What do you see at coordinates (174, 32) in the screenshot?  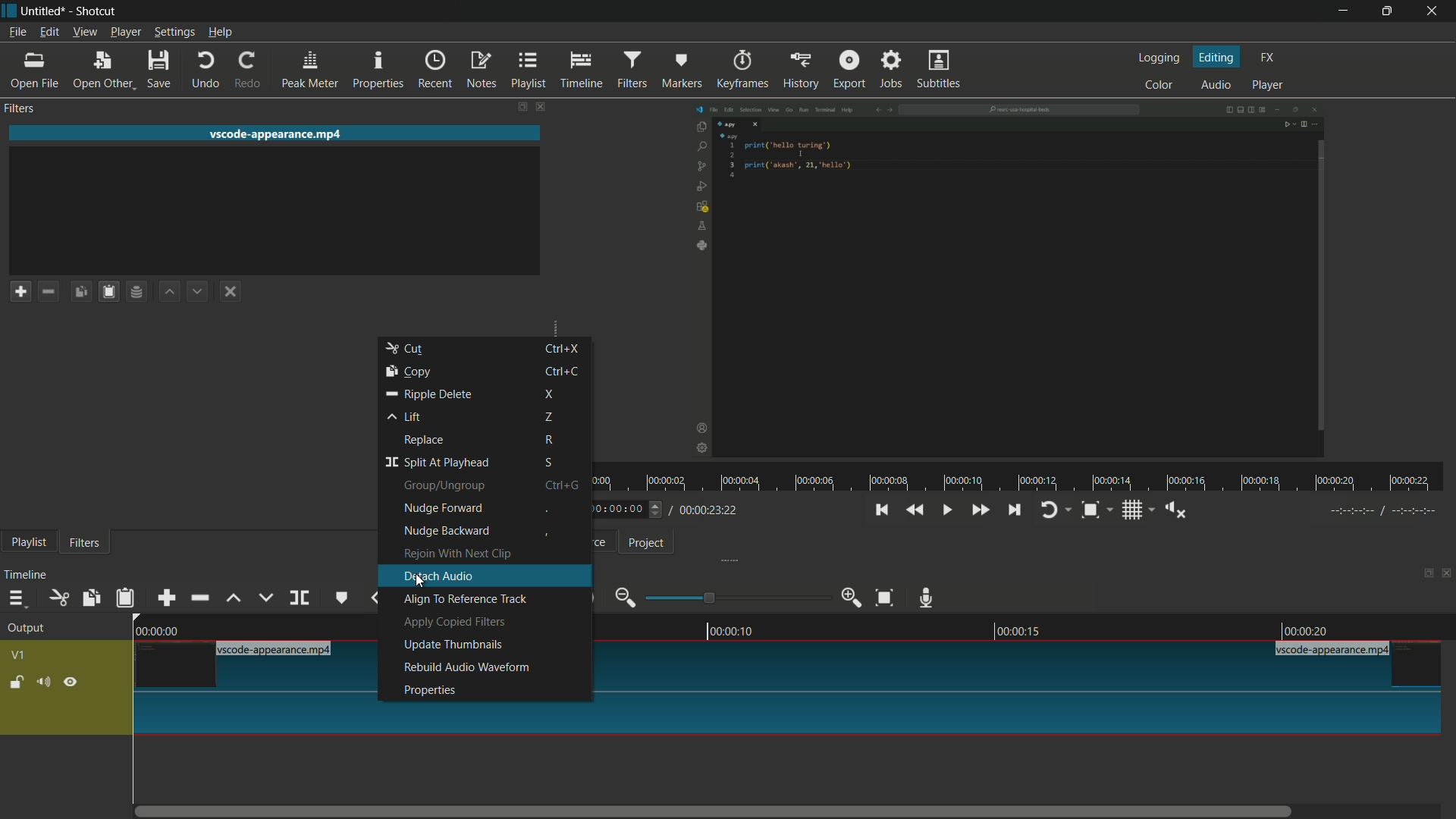 I see `settings menu` at bounding box center [174, 32].